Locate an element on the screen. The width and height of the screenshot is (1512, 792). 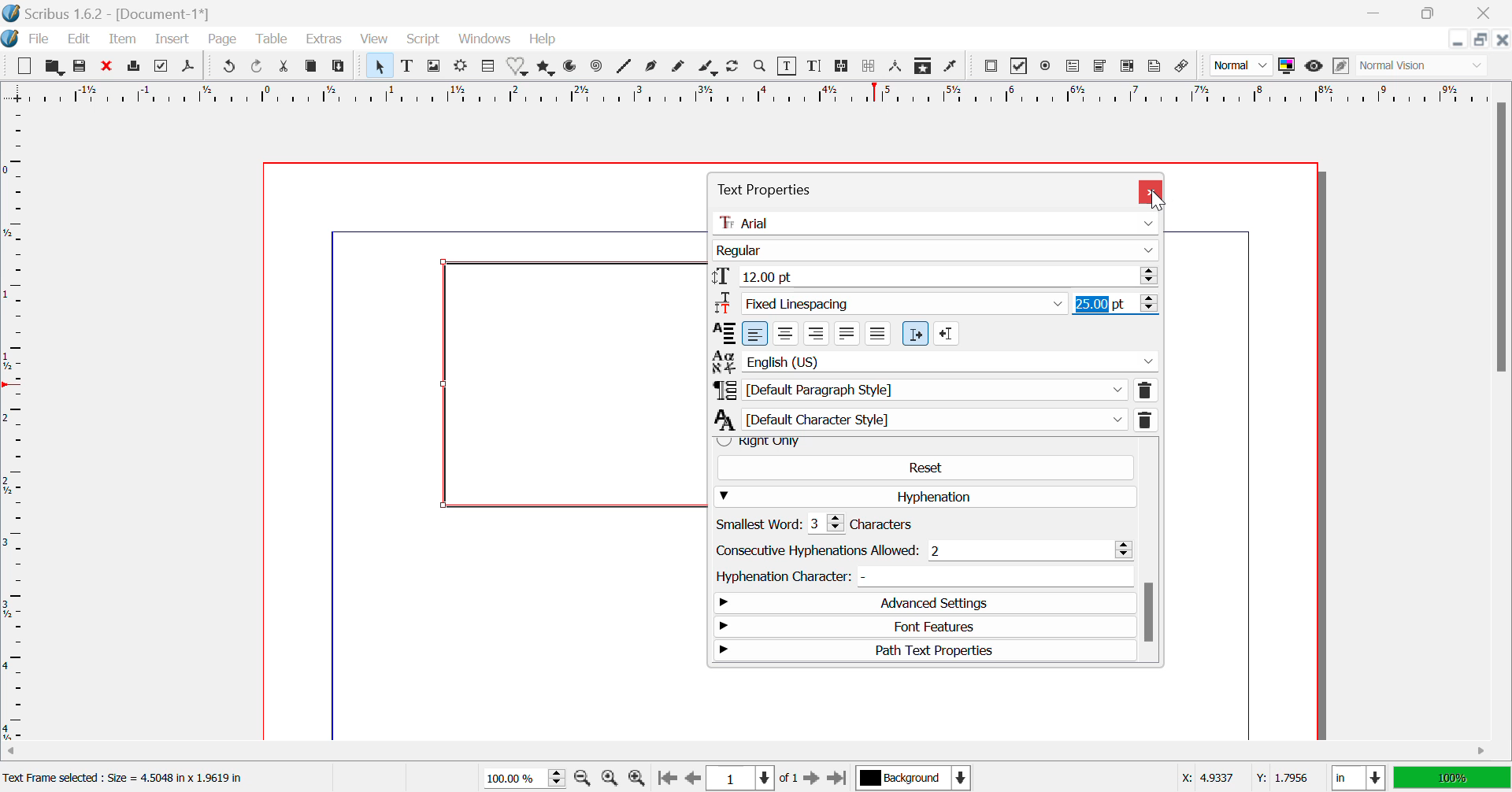
Preview Mode is located at coordinates (1314, 68).